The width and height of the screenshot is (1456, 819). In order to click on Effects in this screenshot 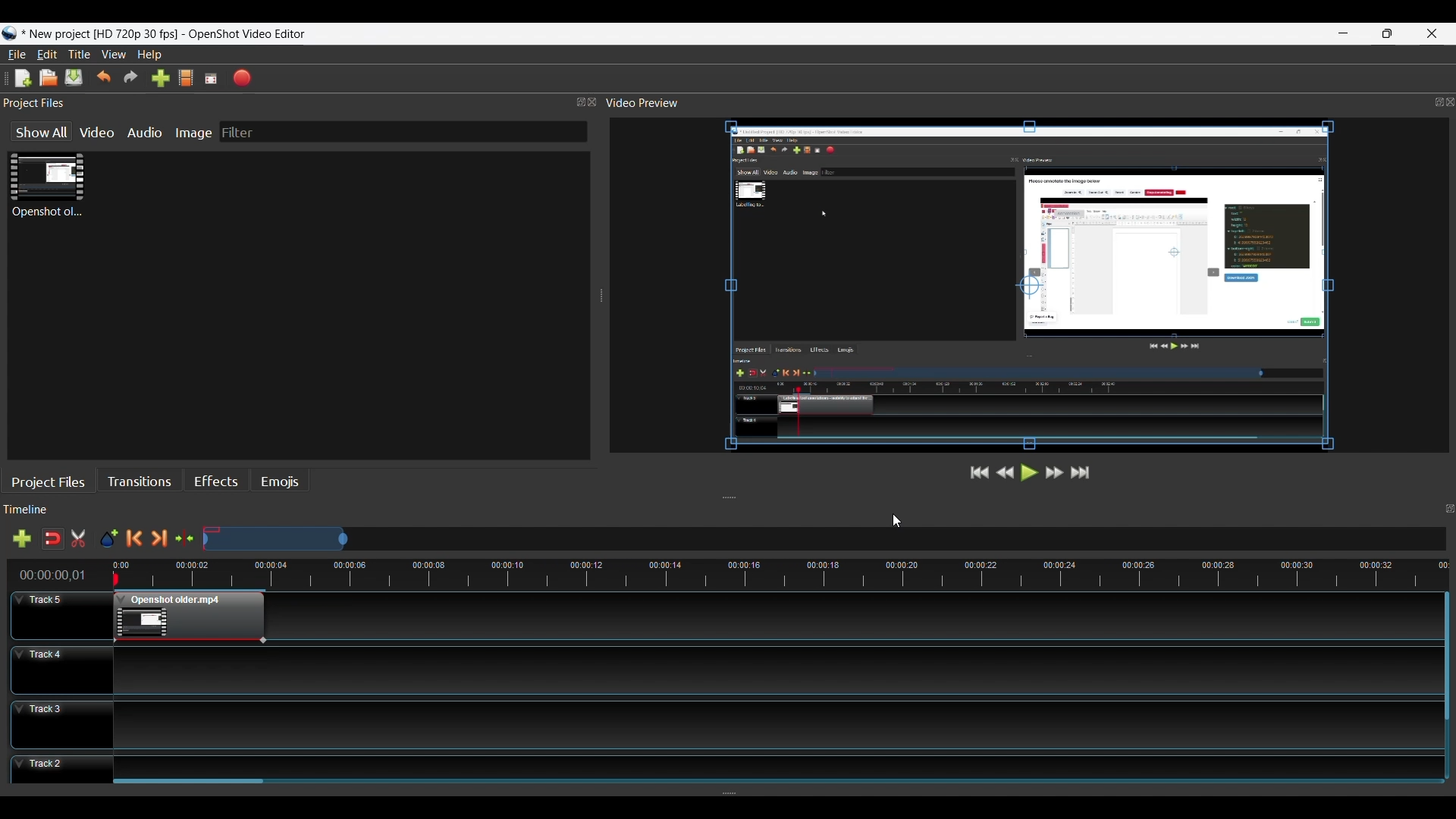, I will do `click(216, 482)`.